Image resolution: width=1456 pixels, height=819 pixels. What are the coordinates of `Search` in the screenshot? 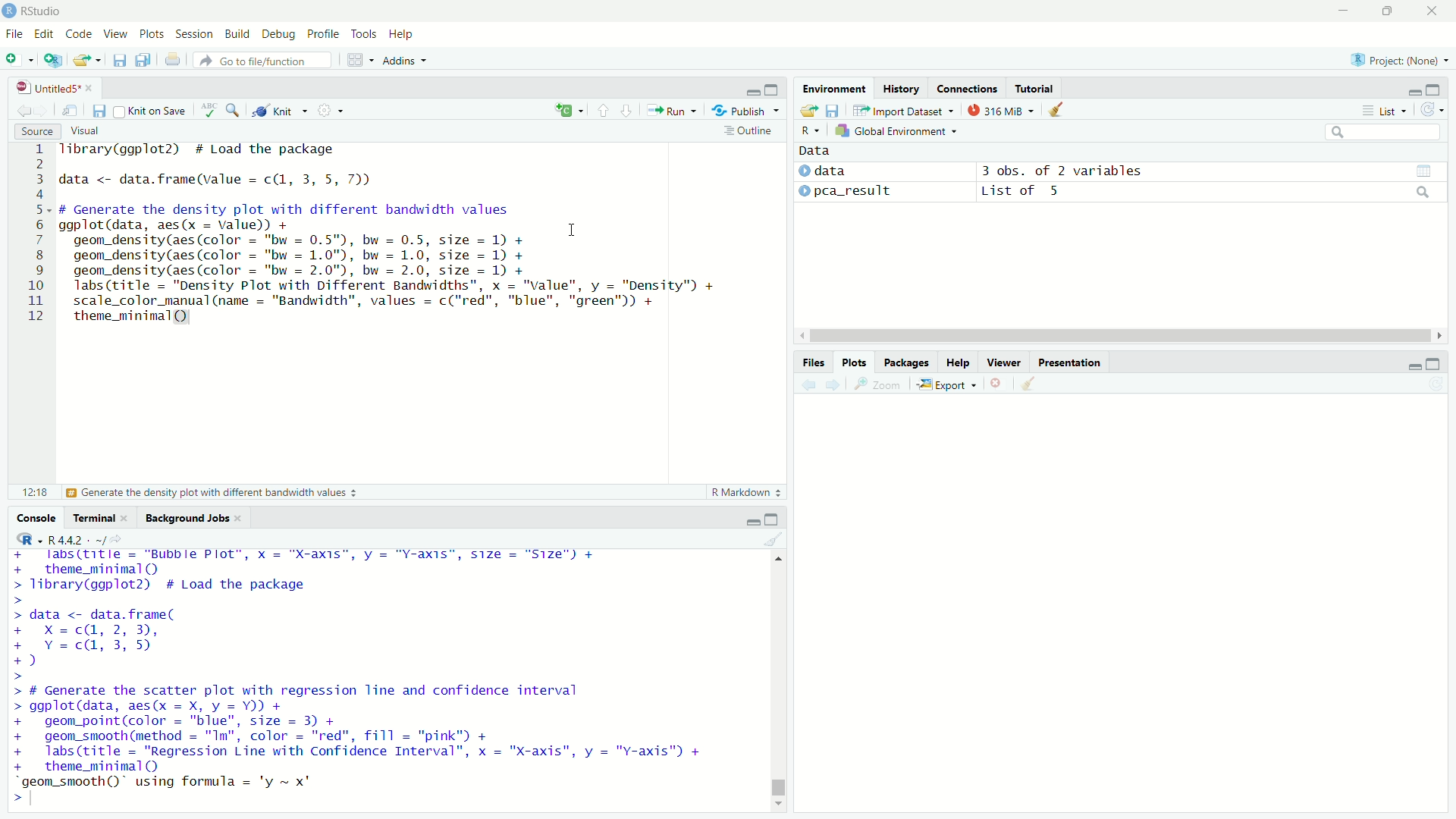 It's located at (1383, 132).